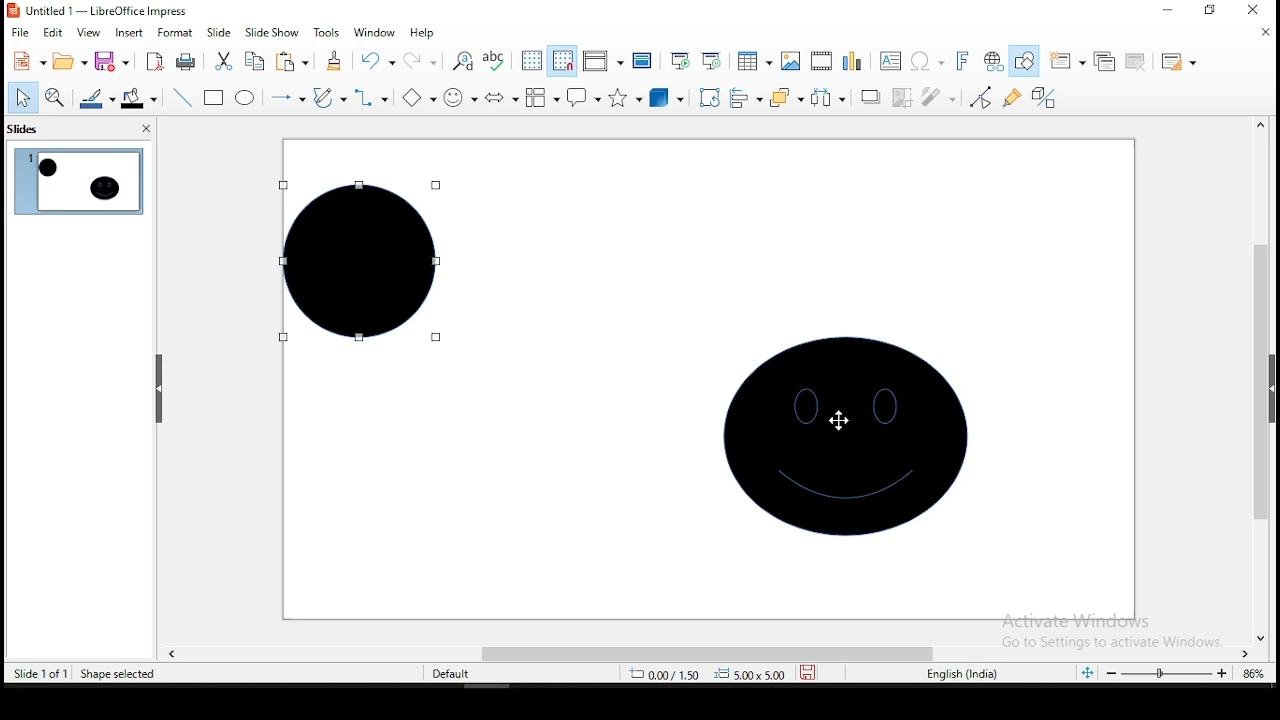  What do you see at coordinates (582, 98) in the screenshot?
I see `callout shape` at bounding box center [582, 98].